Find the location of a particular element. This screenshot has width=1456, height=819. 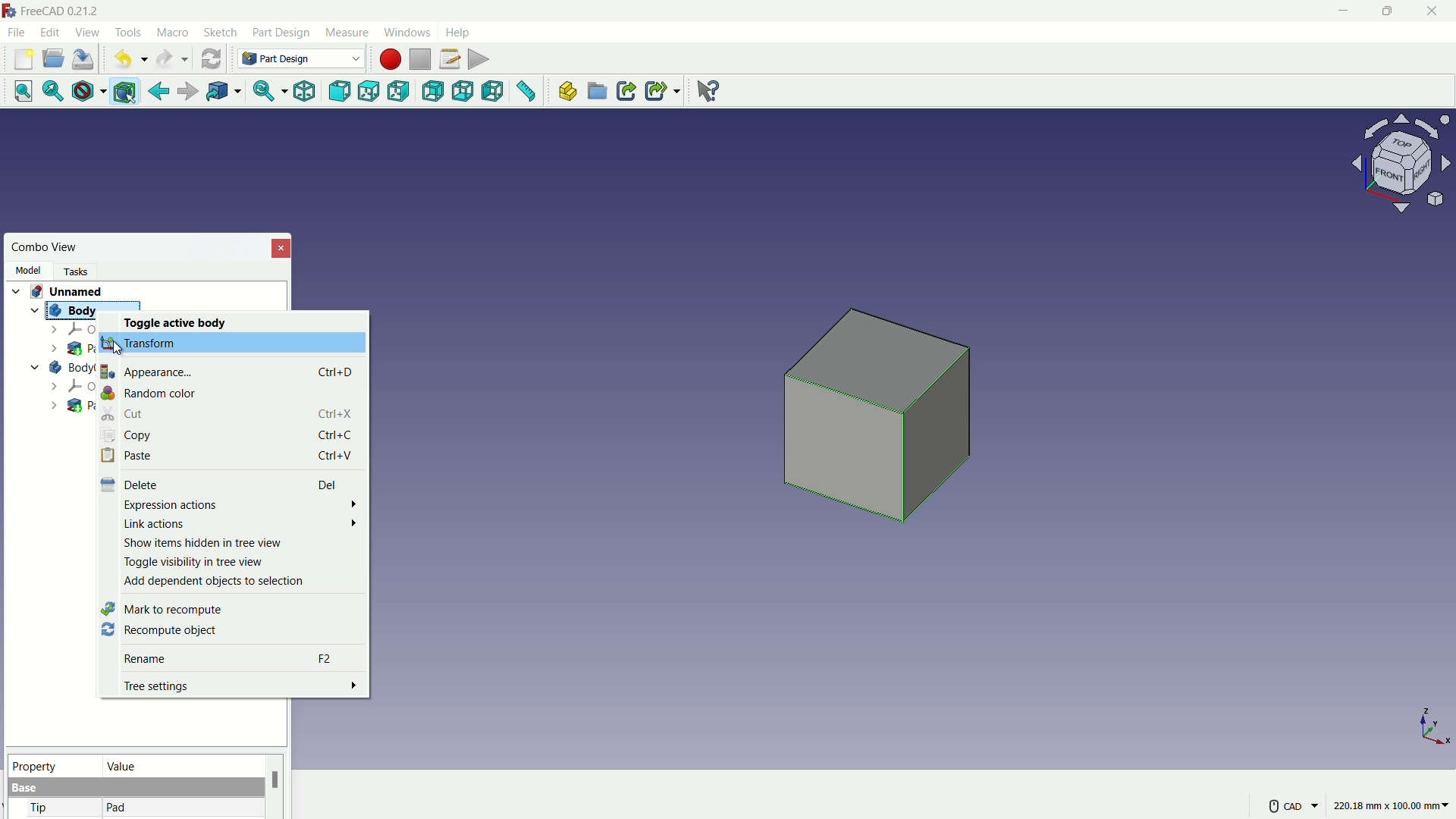

Toggle active body is located at coordinates (180, 323).